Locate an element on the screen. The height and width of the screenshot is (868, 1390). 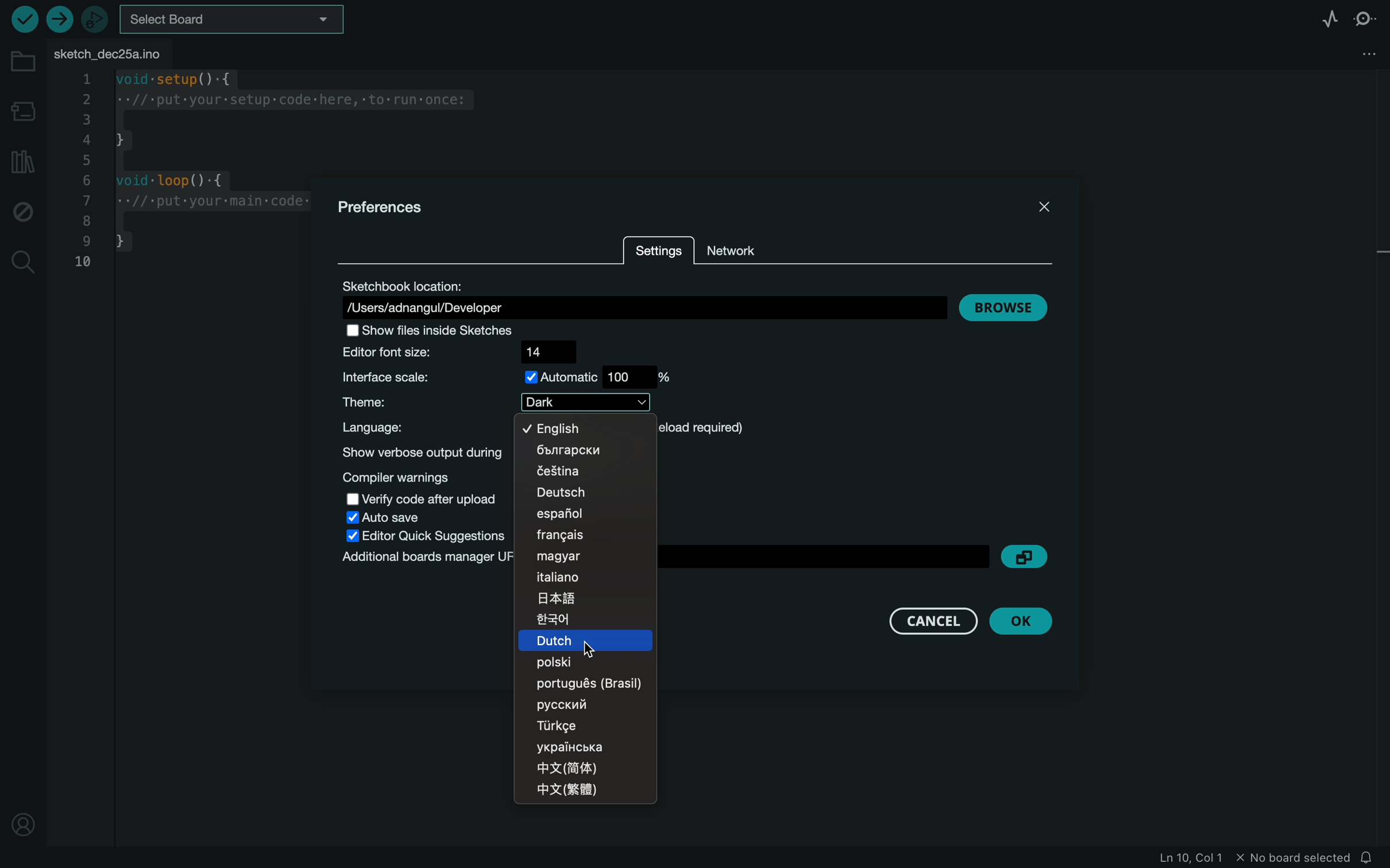
serial plotter is located at coordinates (1320, 20).